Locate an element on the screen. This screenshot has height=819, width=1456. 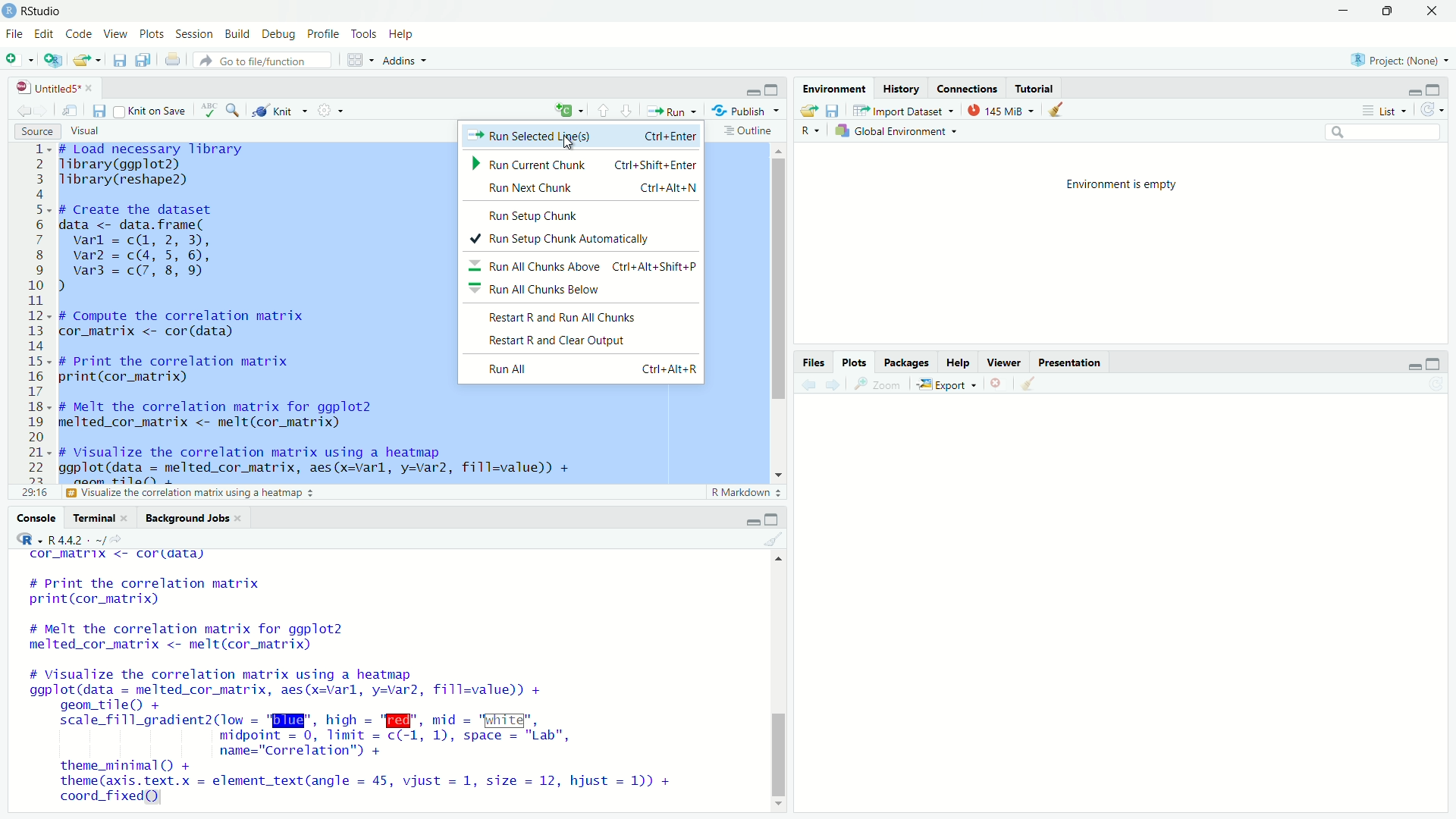
refresh is located at coordinates (1433, 111).